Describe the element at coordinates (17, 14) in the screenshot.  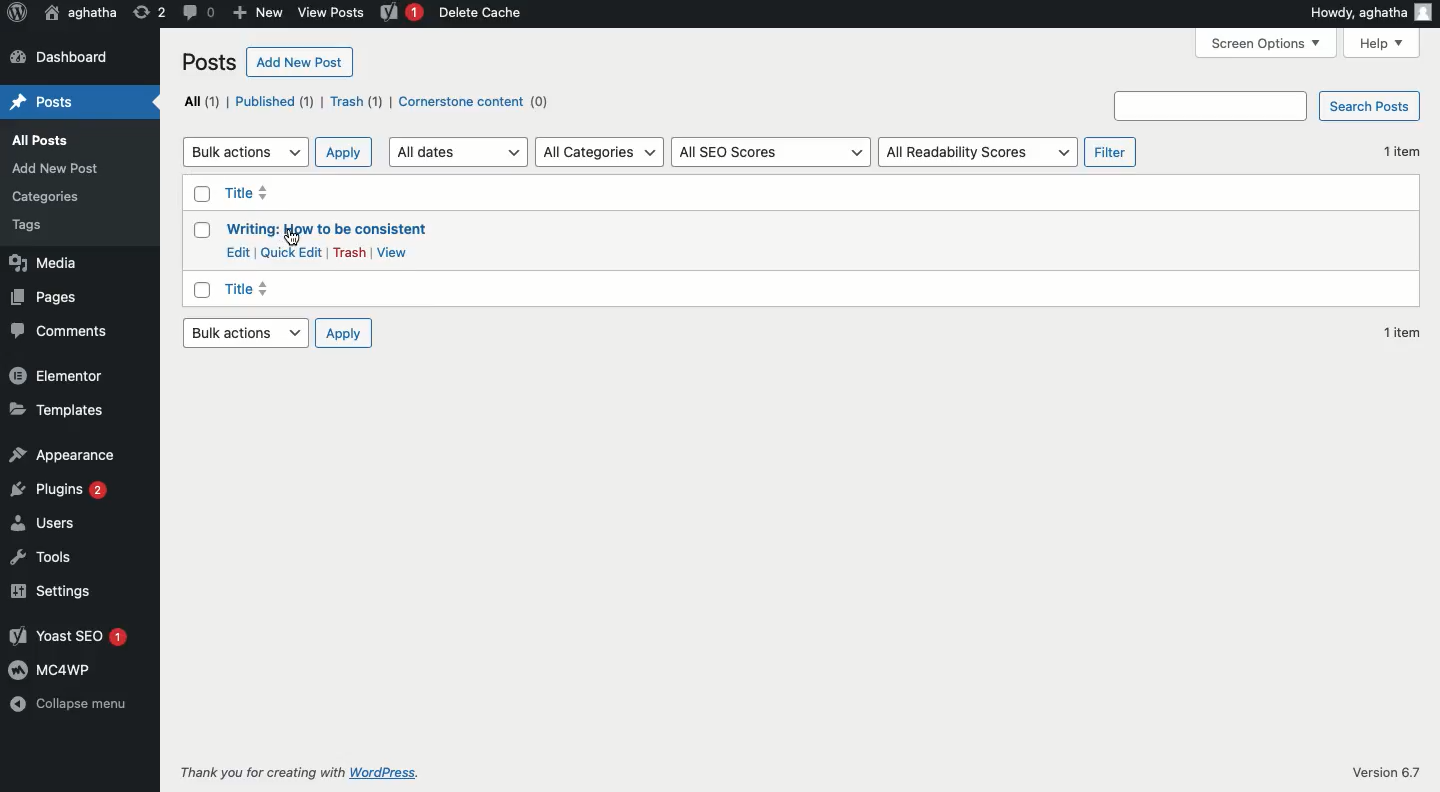
I see `Logo` at that location.